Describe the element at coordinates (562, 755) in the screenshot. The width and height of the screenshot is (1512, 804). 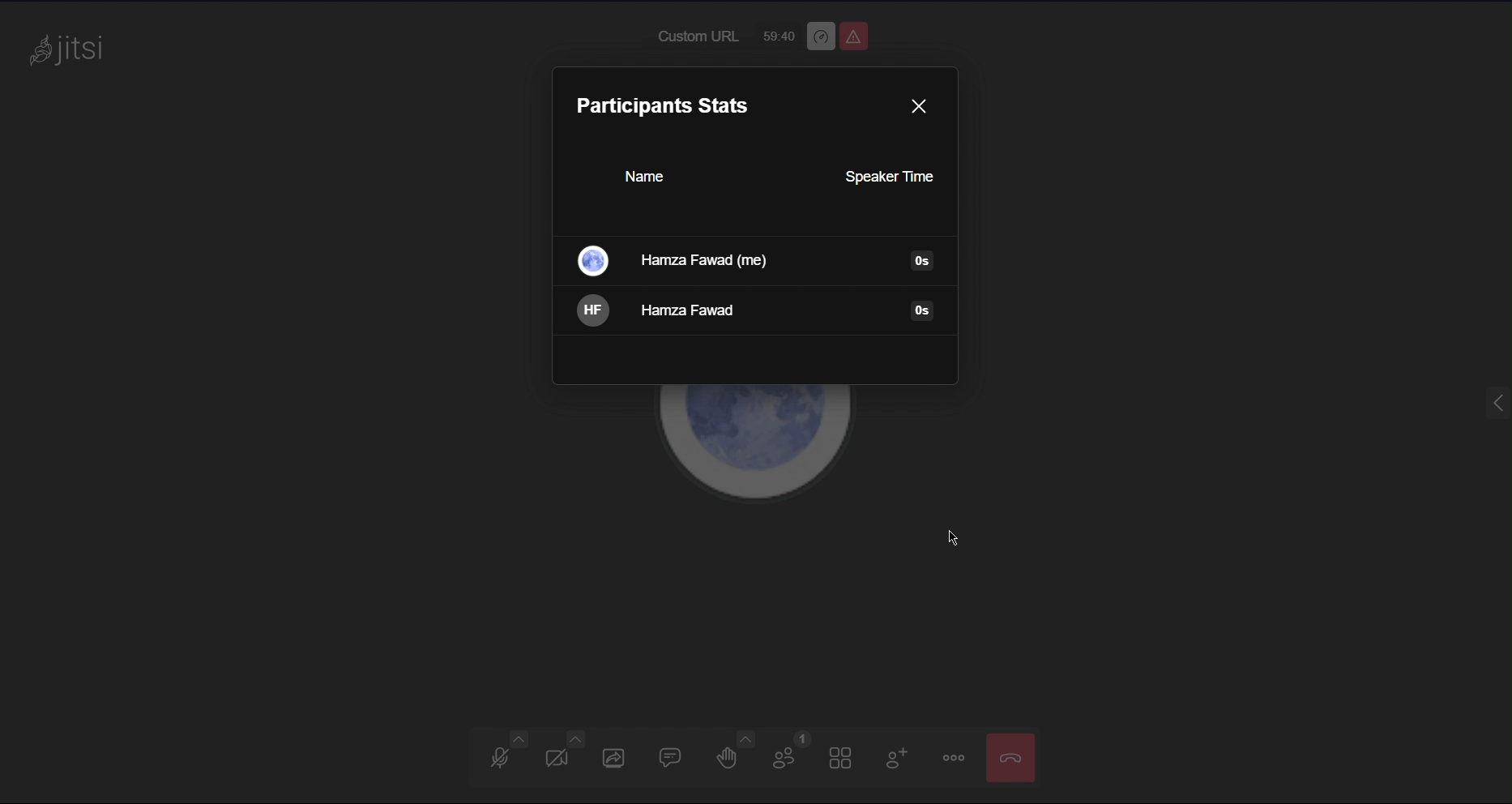
I see `Video` at that location.